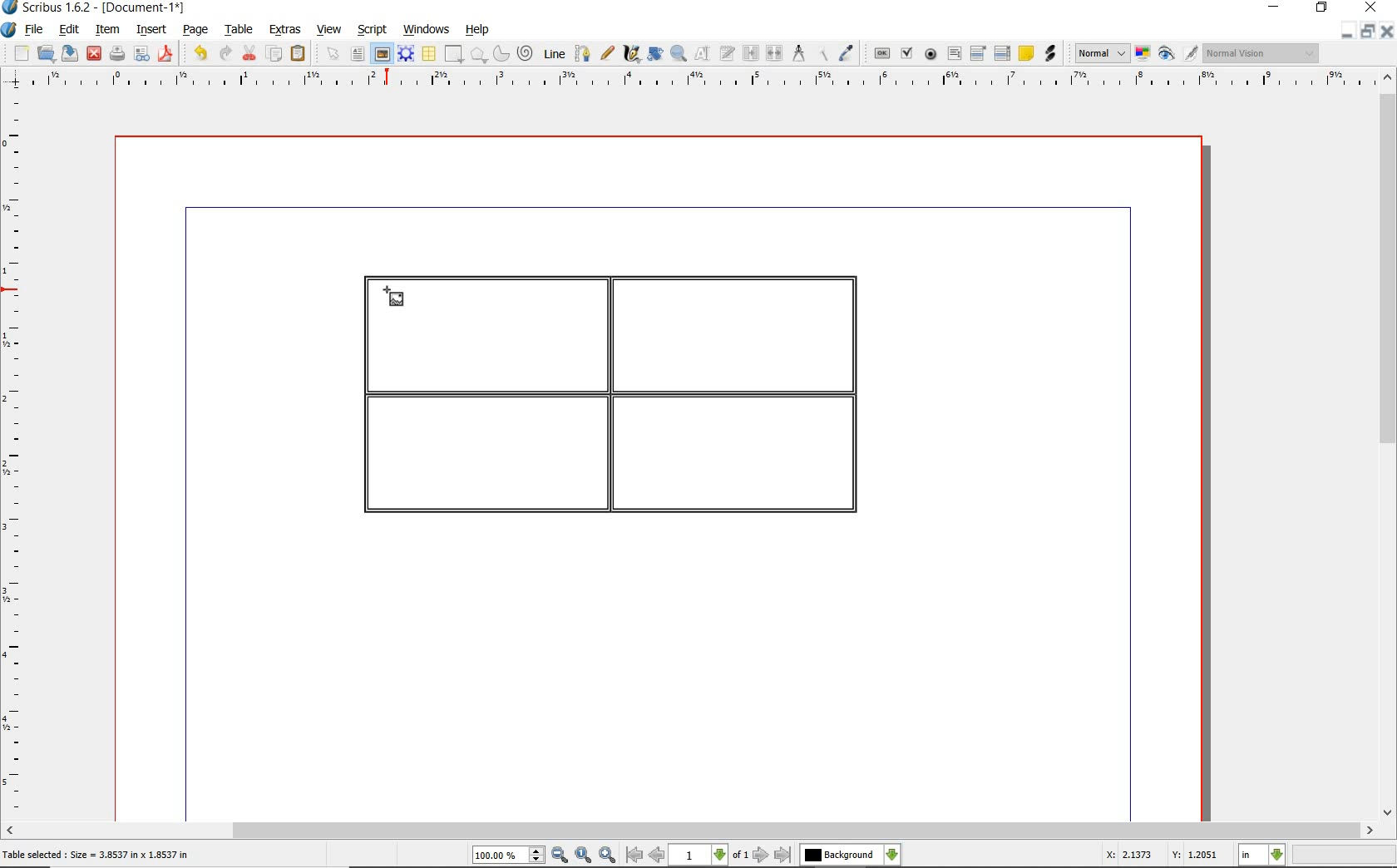 The width and height of the screenshot is (1397, 868). I want to click on pdf combo box, so click(980, 54).